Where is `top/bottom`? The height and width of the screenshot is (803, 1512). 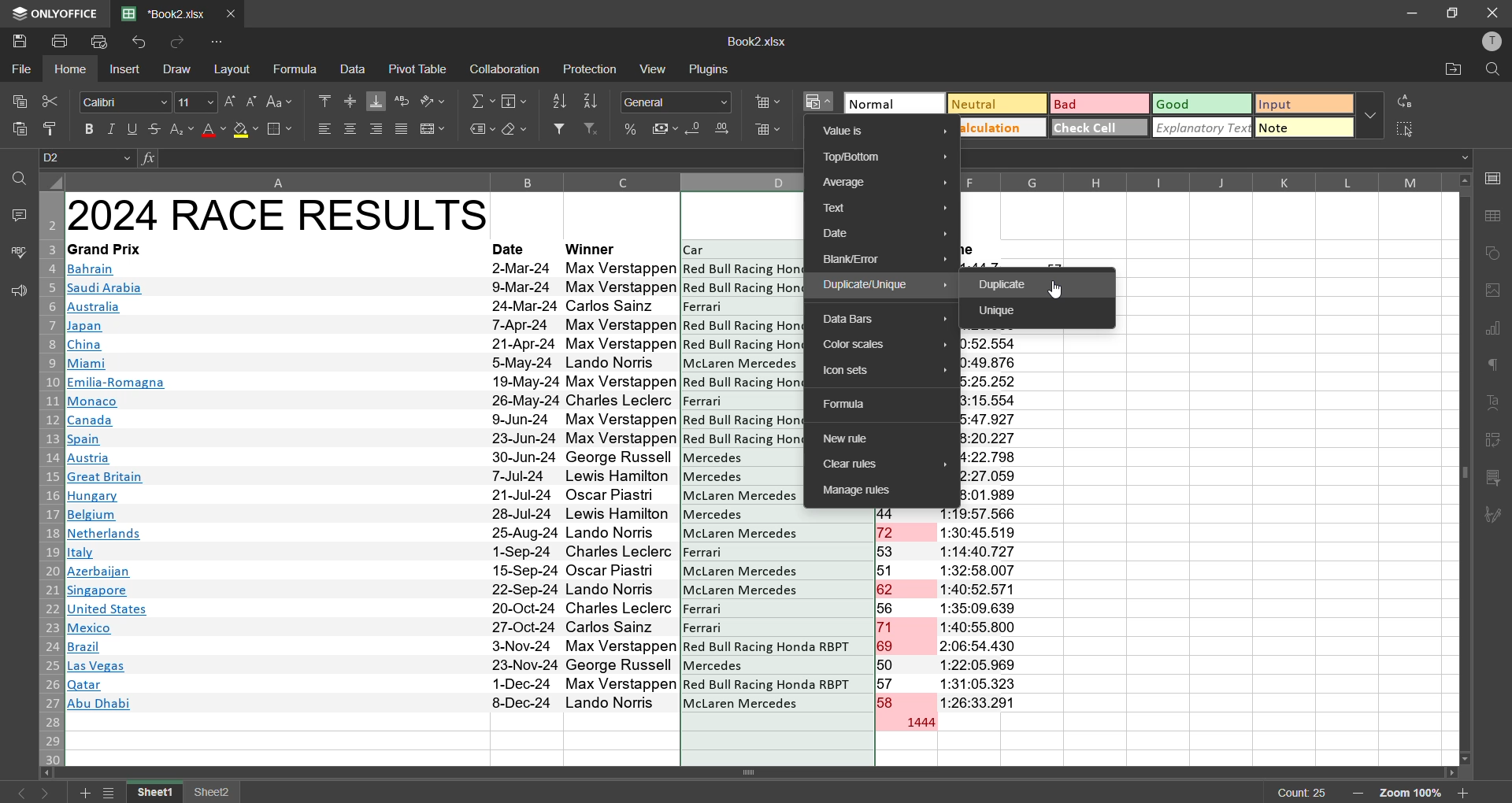 top/bottom is located at coordinates (887, 159).